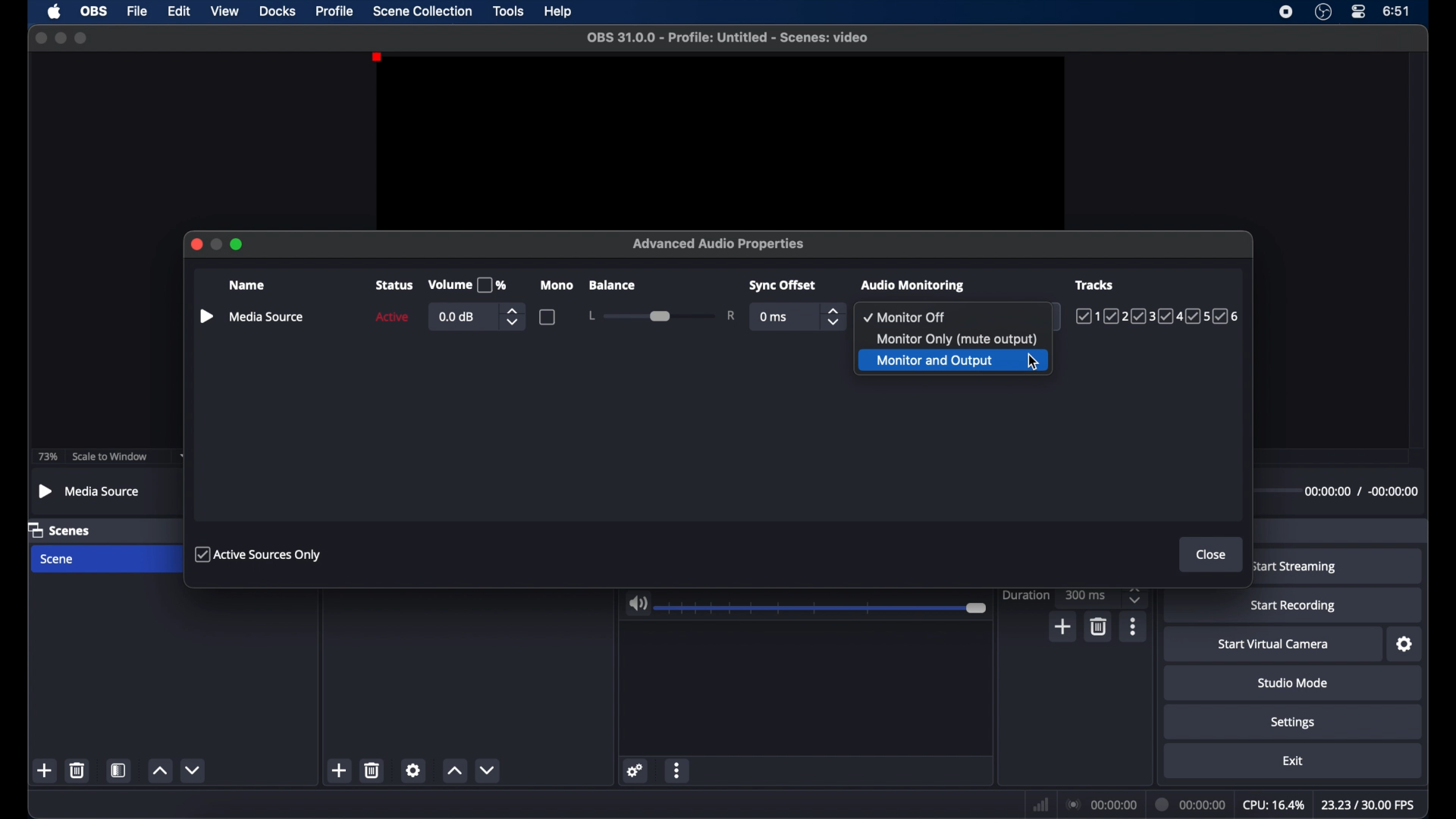  I want to click on more options, so click(678, 771).